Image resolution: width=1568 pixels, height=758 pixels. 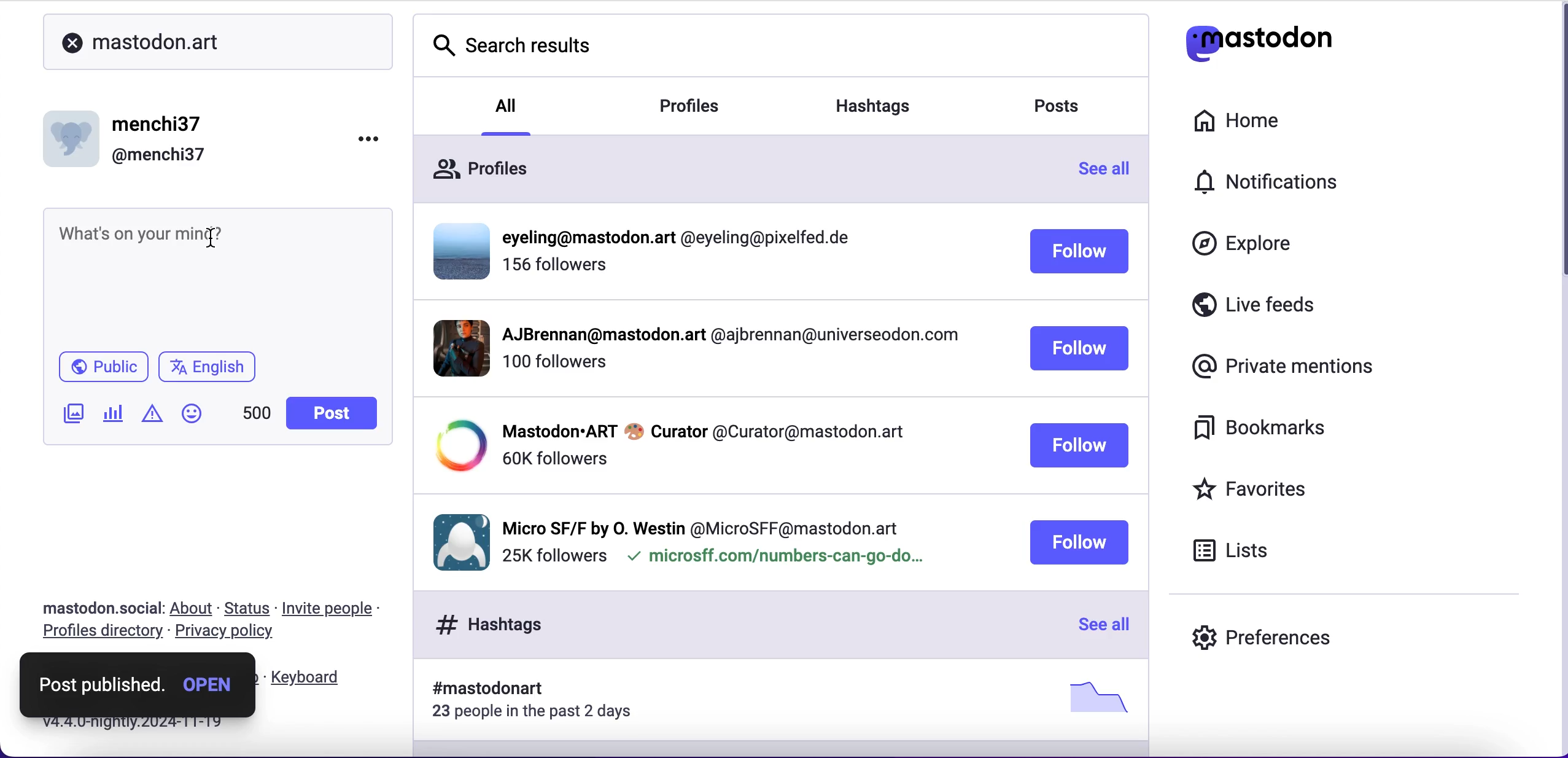 I want to click on hashtags, so click(x=483, y=624).